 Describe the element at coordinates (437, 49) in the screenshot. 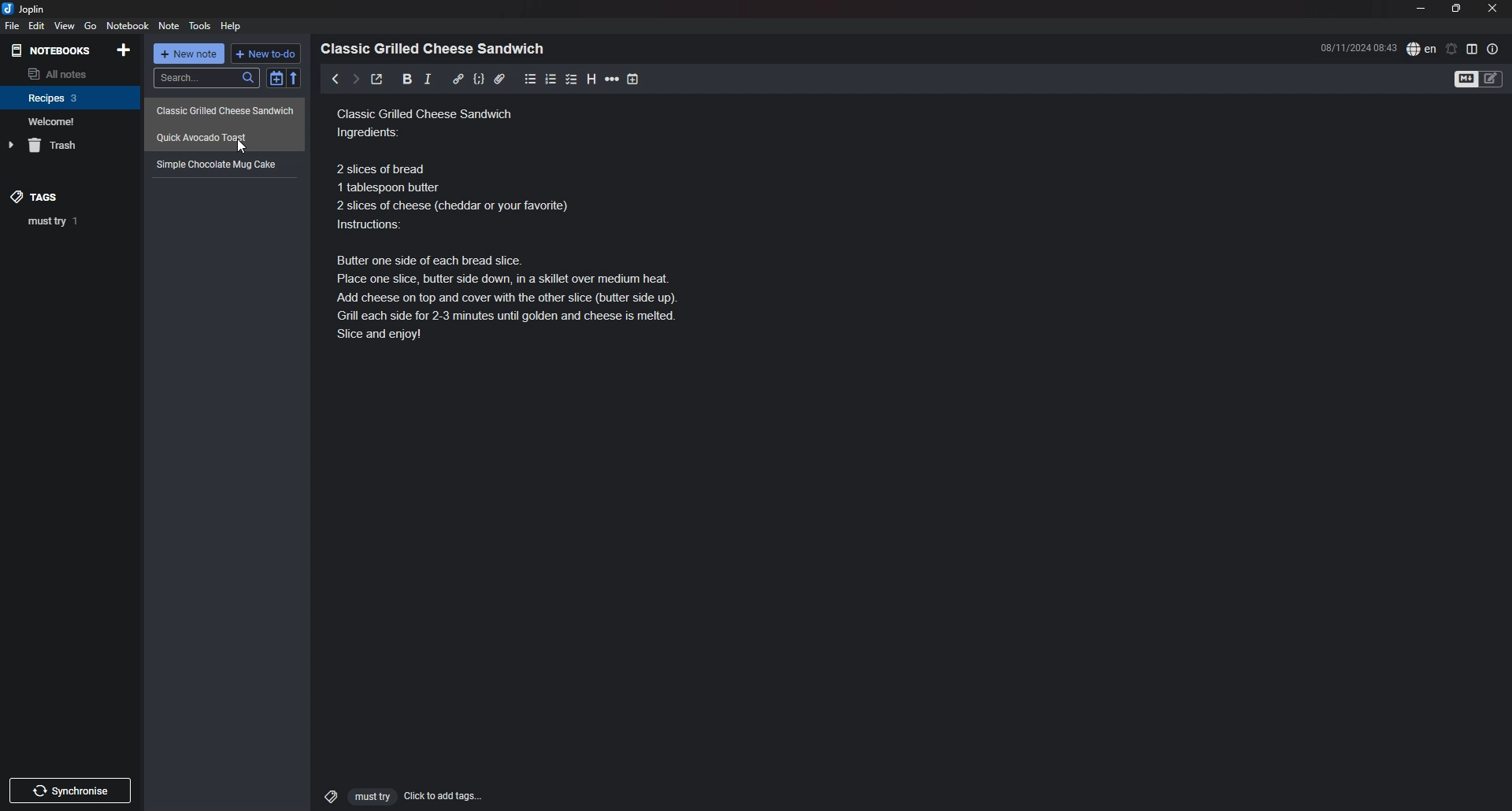

I see `heading` at that location.